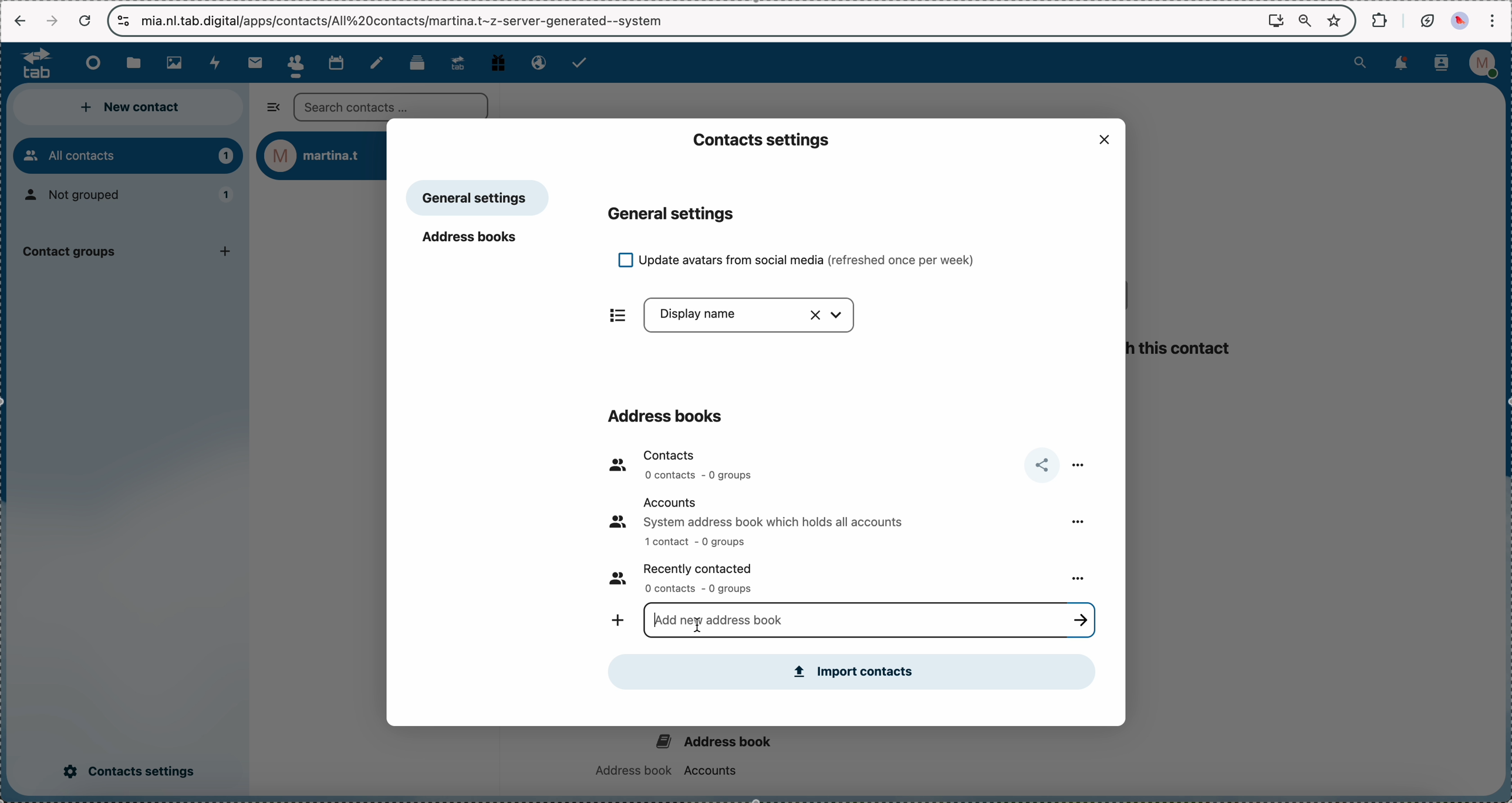  What do you see at coordinates (391, 105) in the screenshot?
I see `search bar` at bounding box center [391, 105].